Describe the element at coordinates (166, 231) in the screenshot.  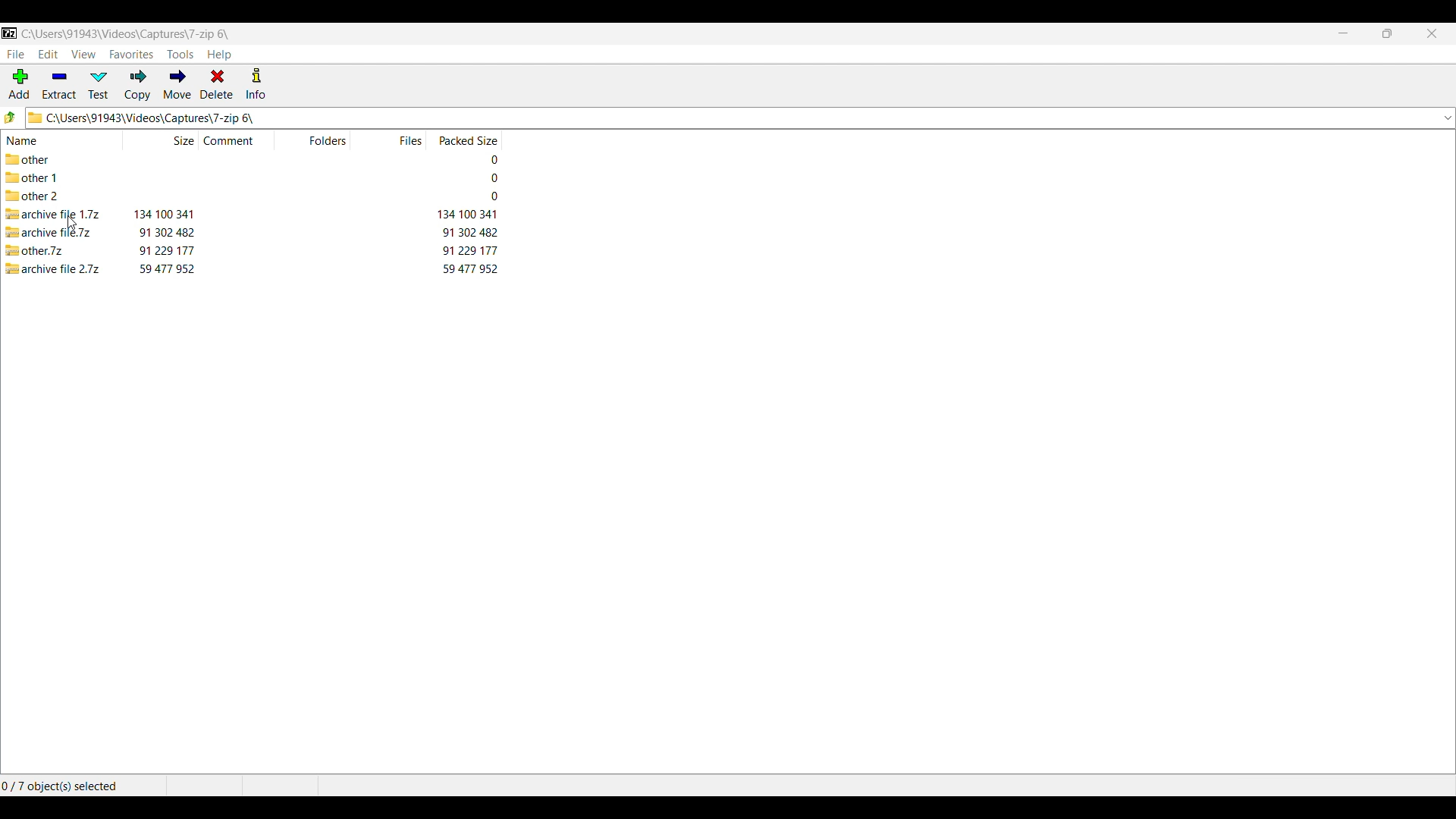
I see `size` at that location.